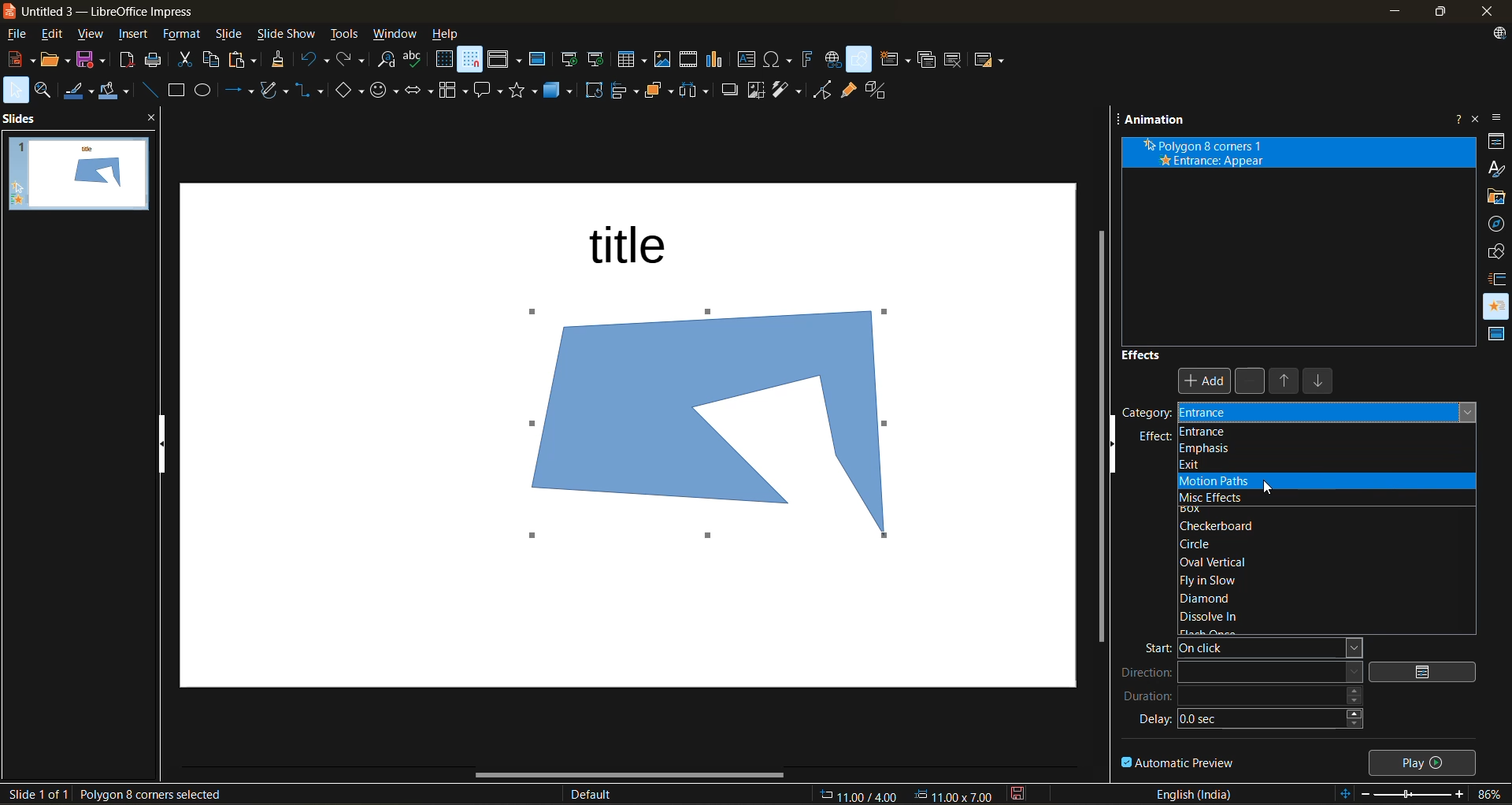 The height and width of the screenshot is (805, 1512). What do you see at coordinates (386, 61) in the screenshot?
I see `find and replace` at bounding box center [386, 61].